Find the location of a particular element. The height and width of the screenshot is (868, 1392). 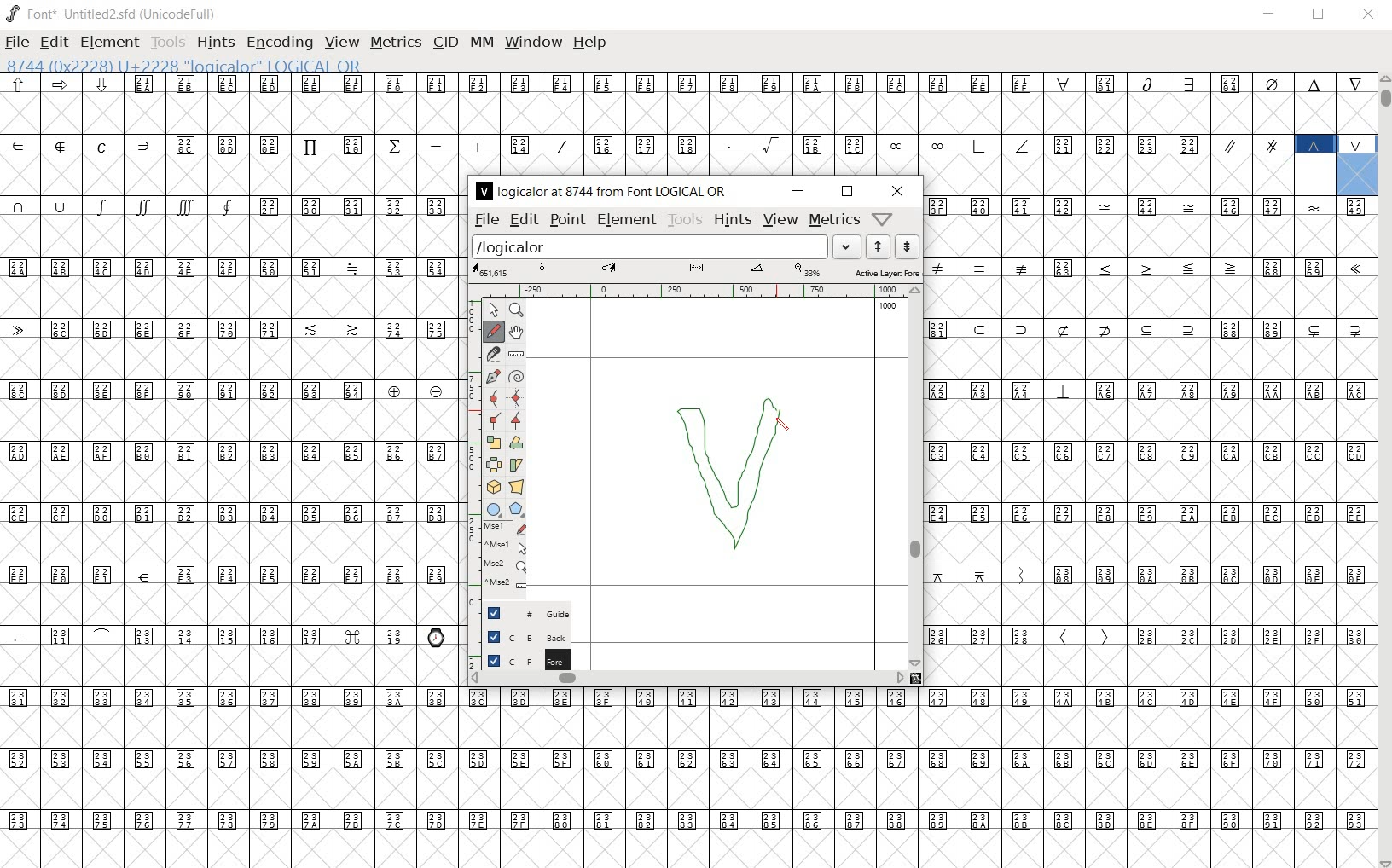

draw a freehand curve is located at coordinates (494, 332).